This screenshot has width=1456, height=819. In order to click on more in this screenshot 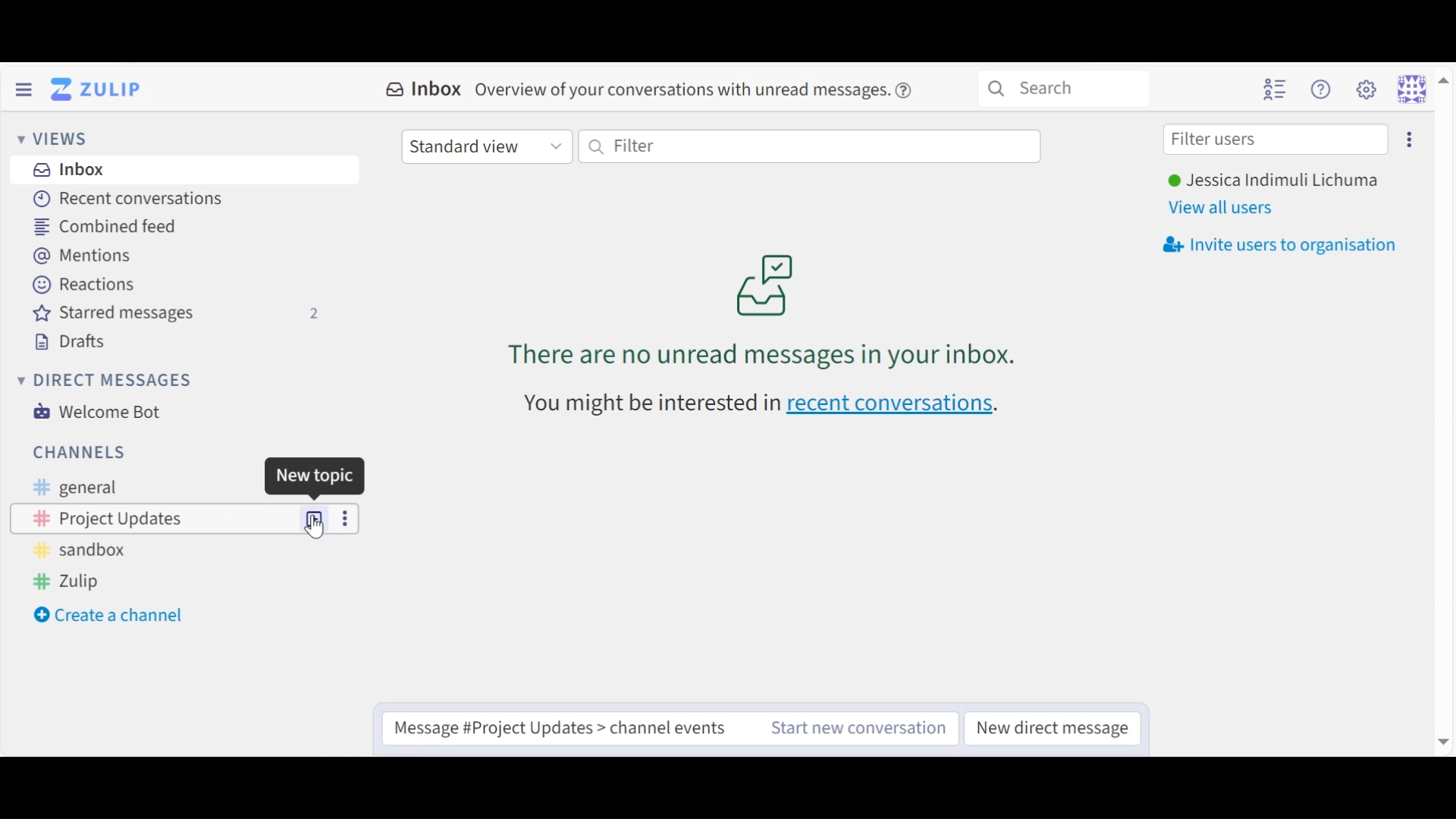, I will do `click(343, 517)`.